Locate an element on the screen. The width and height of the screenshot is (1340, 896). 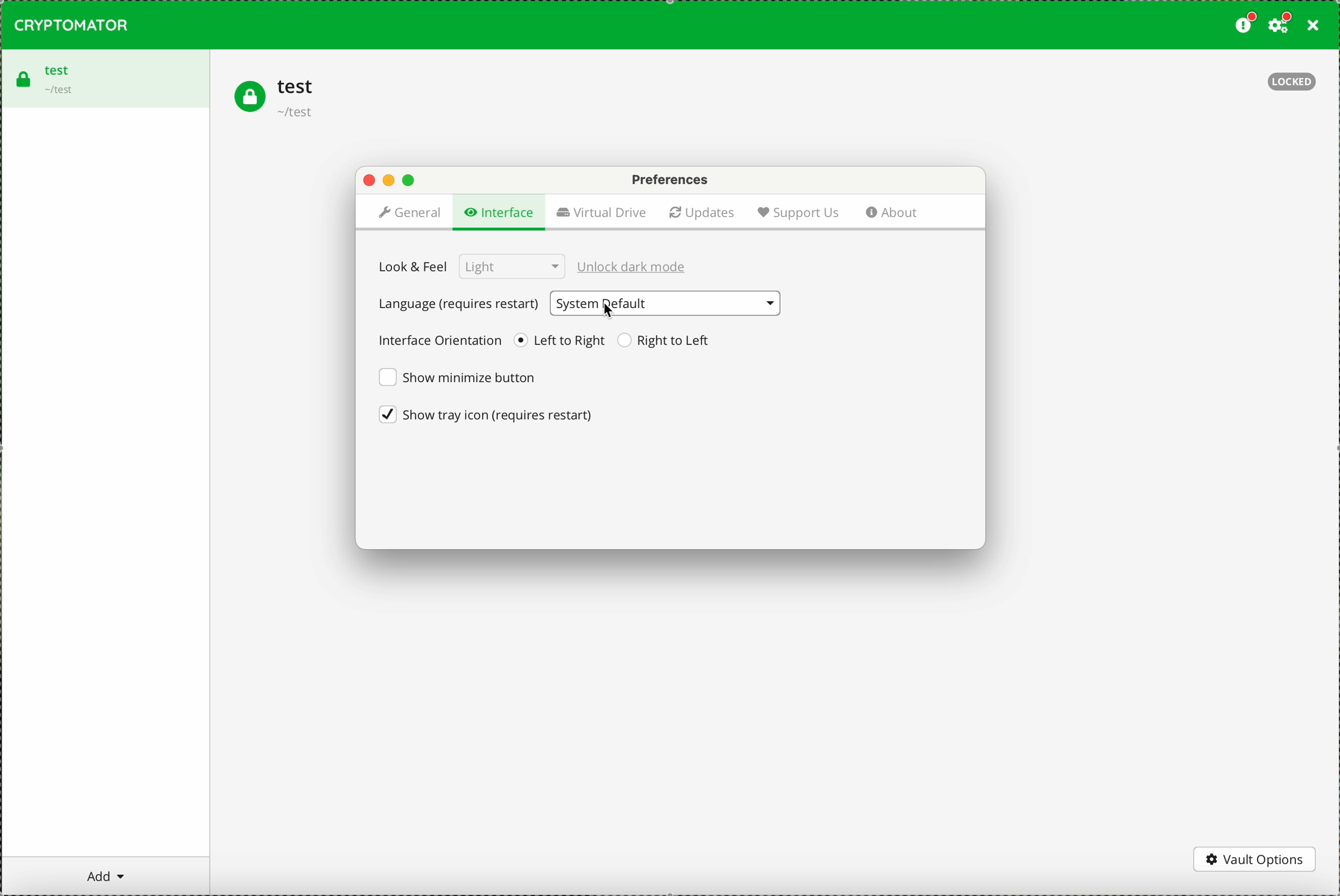
left to right is located at coordinates (561, 340).